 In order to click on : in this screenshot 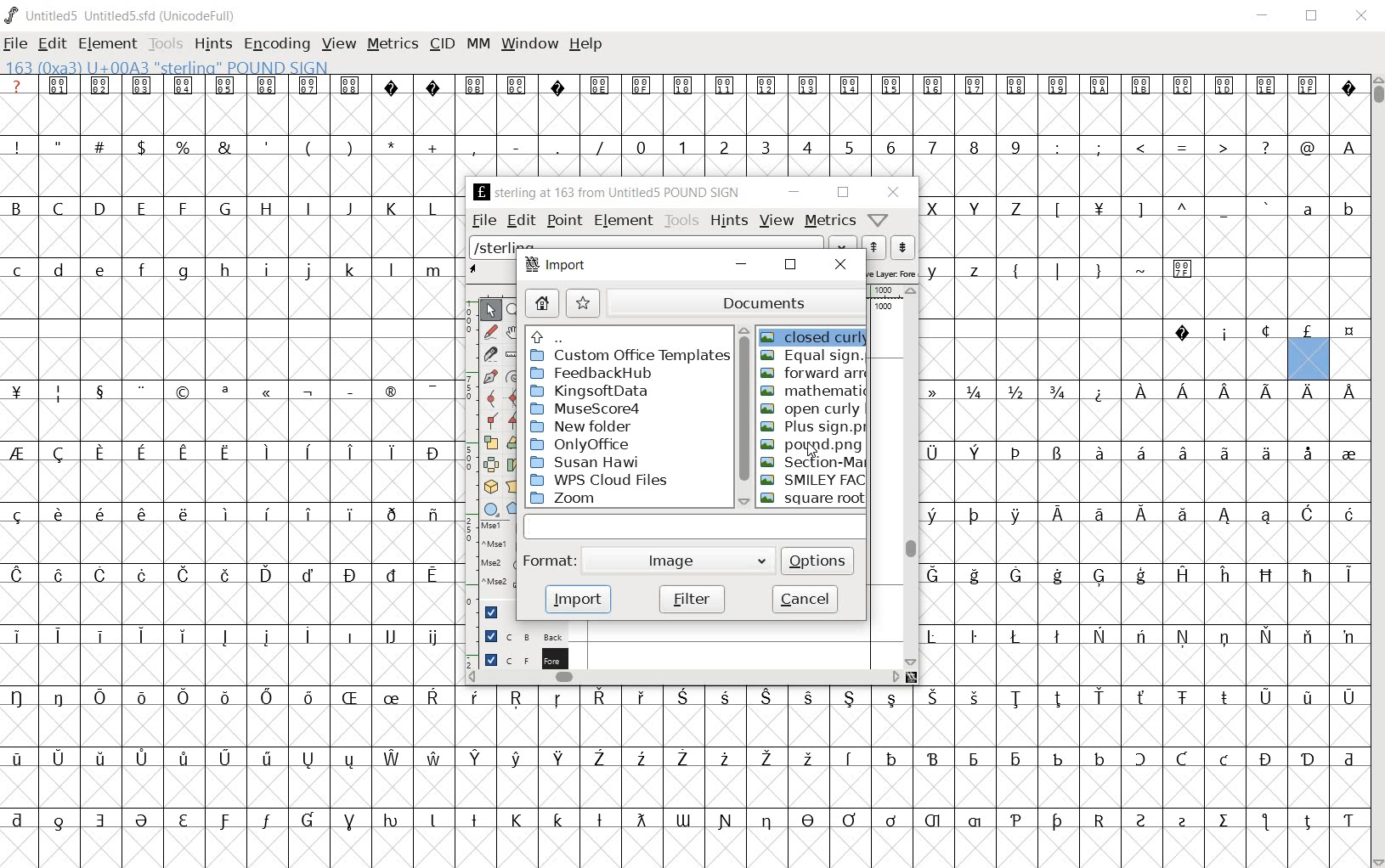, I will do `click(1055, 146)`.